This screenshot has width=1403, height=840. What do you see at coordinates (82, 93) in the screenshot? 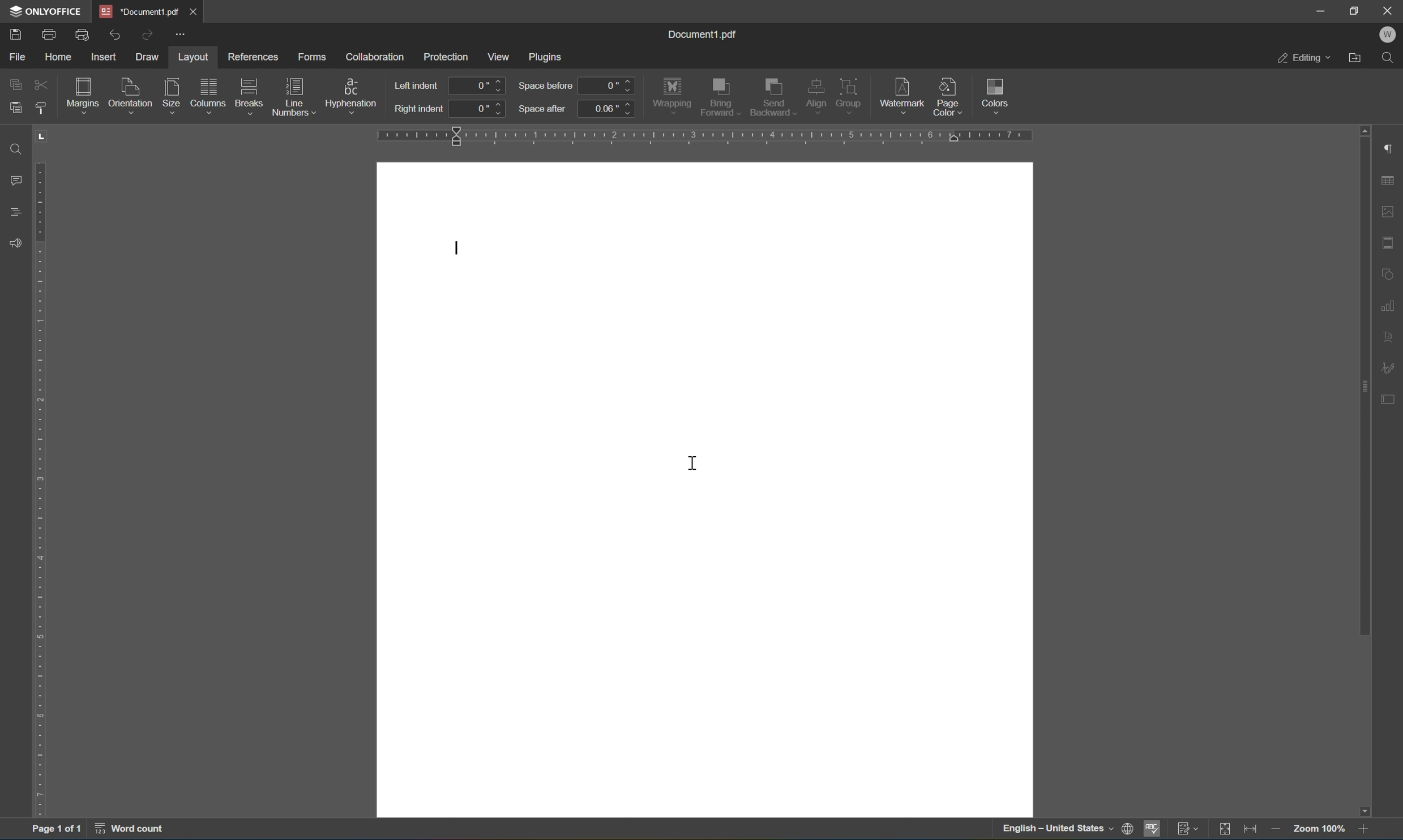
I see `margins` at bounding box center [82, 93].